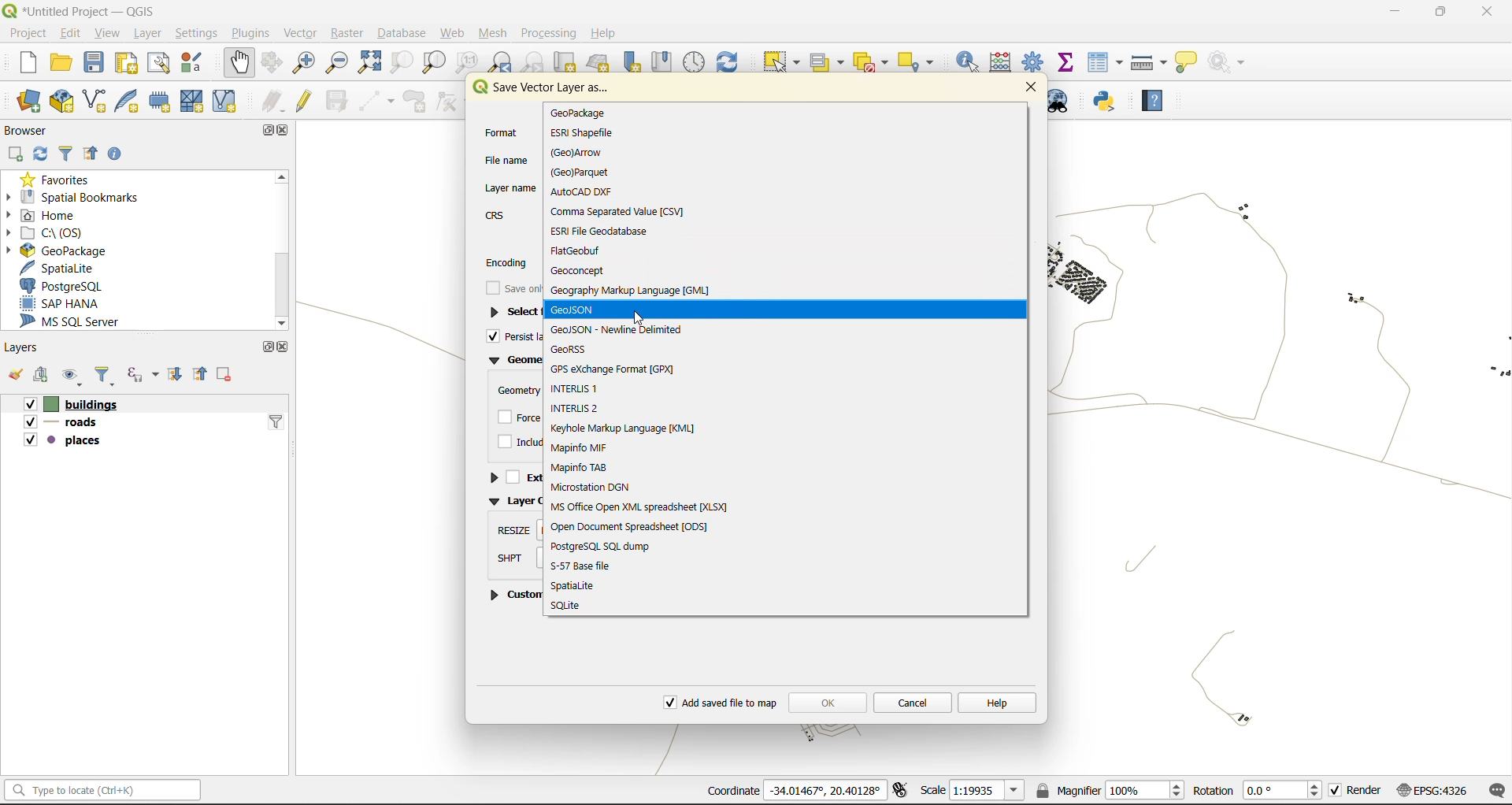  What do you see at coordinates (57, 233) in the screenshot?
I see `c\:os` at bounding box center [57, 233].